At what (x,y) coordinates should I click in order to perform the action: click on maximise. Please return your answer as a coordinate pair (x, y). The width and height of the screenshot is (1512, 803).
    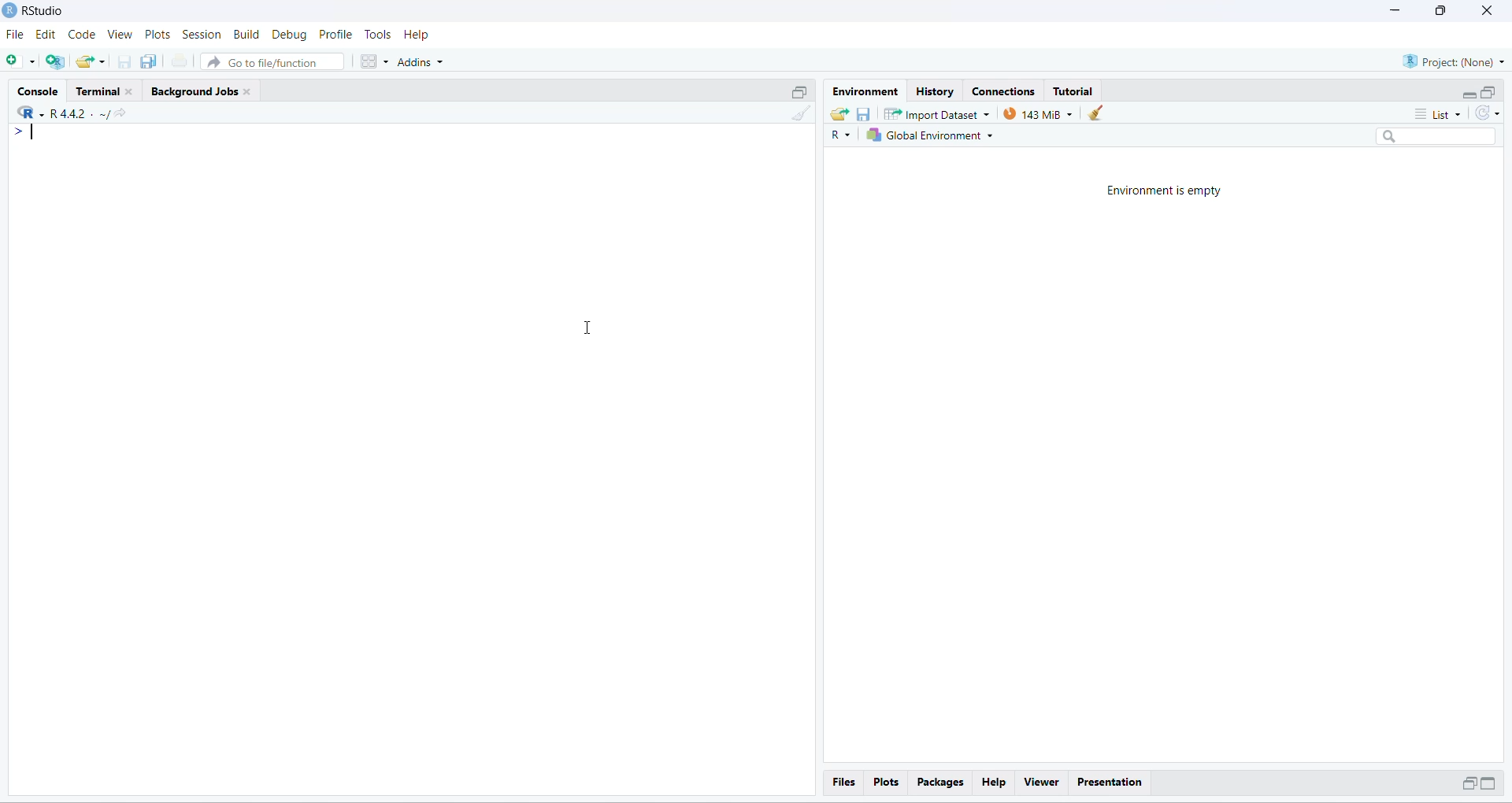
    Looking at the image, I should click on (1441, 11).